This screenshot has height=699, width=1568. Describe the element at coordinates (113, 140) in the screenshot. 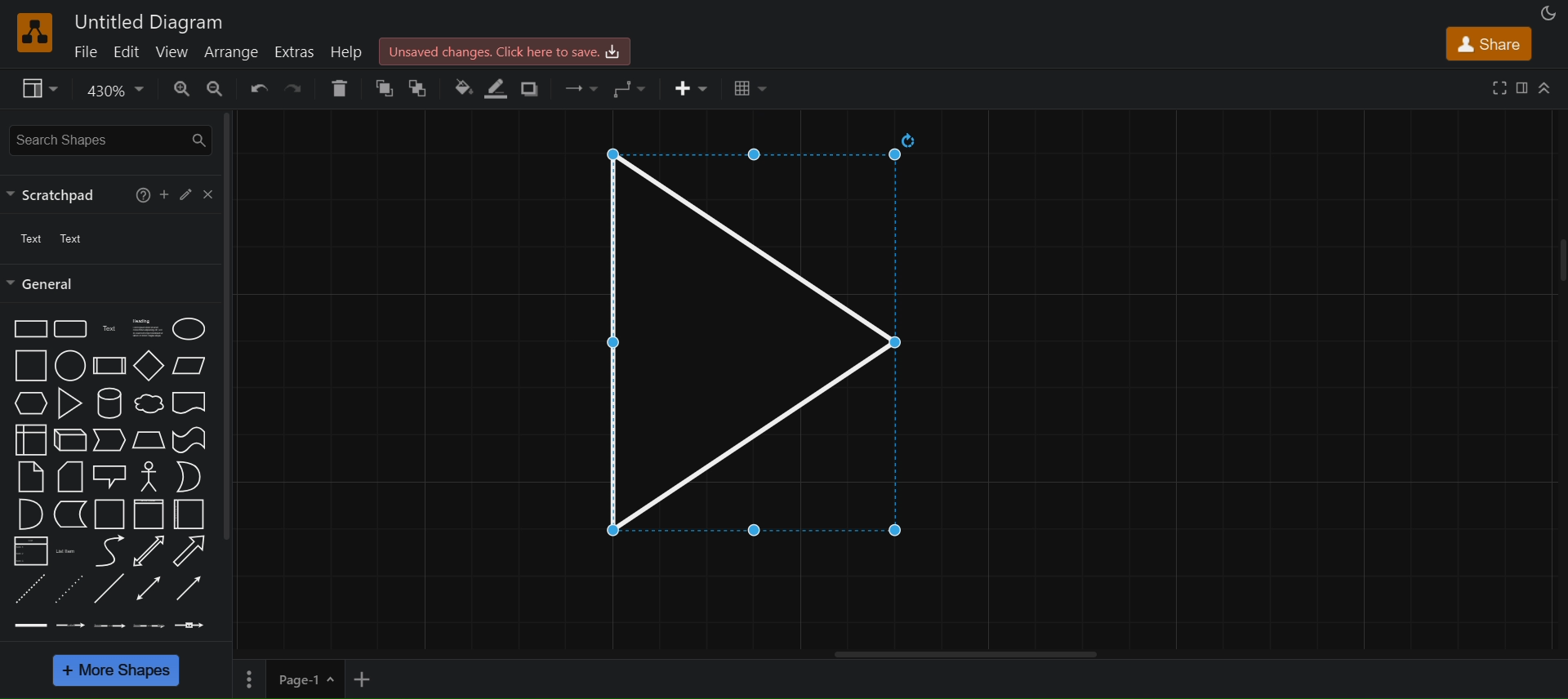

I see `search shapes` at that location.